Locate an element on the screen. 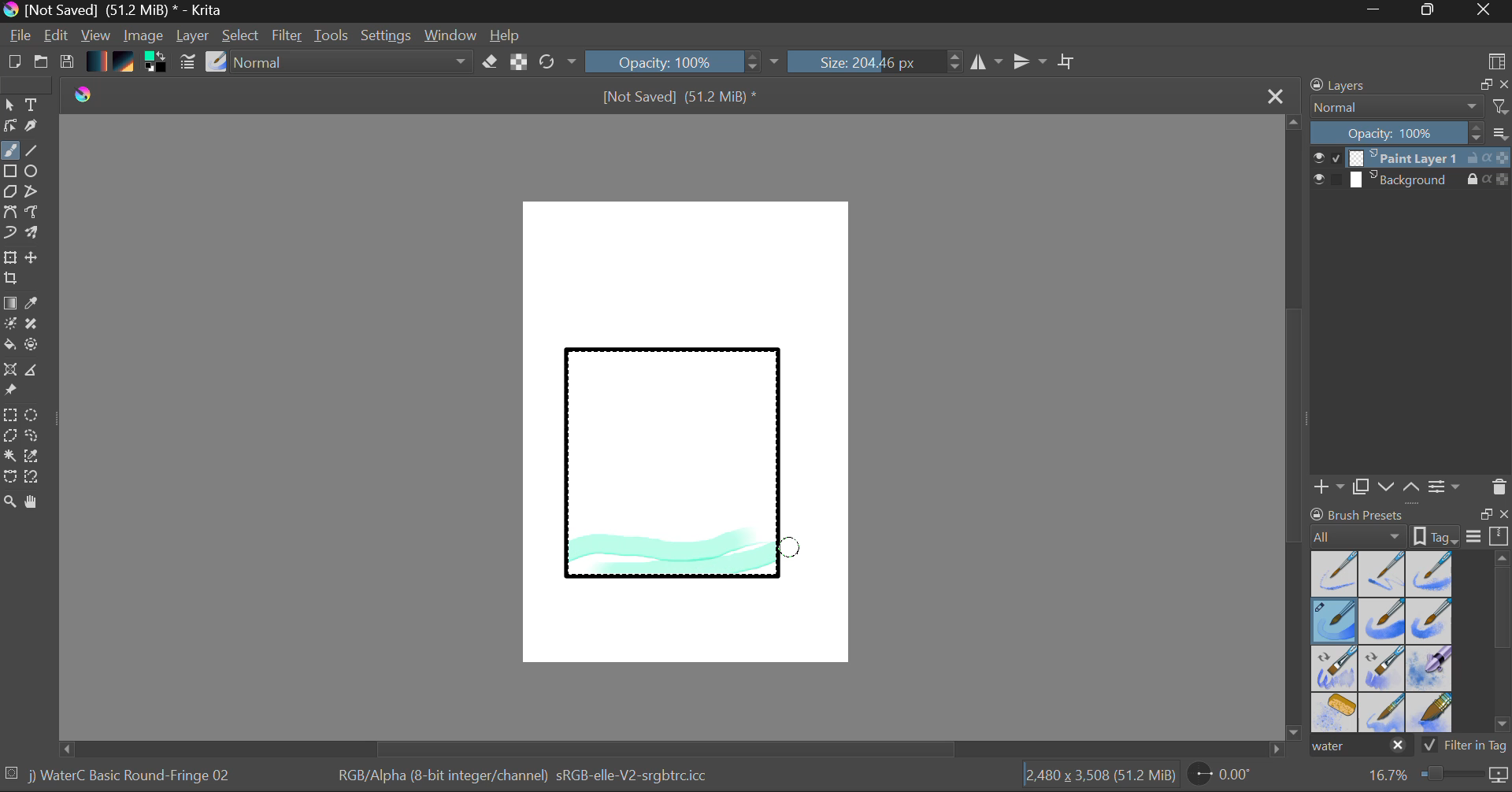 Image resolution: width=1512 pixels, height=792 pixels. Freehand Path Tool is located at coordinates (31, 213).